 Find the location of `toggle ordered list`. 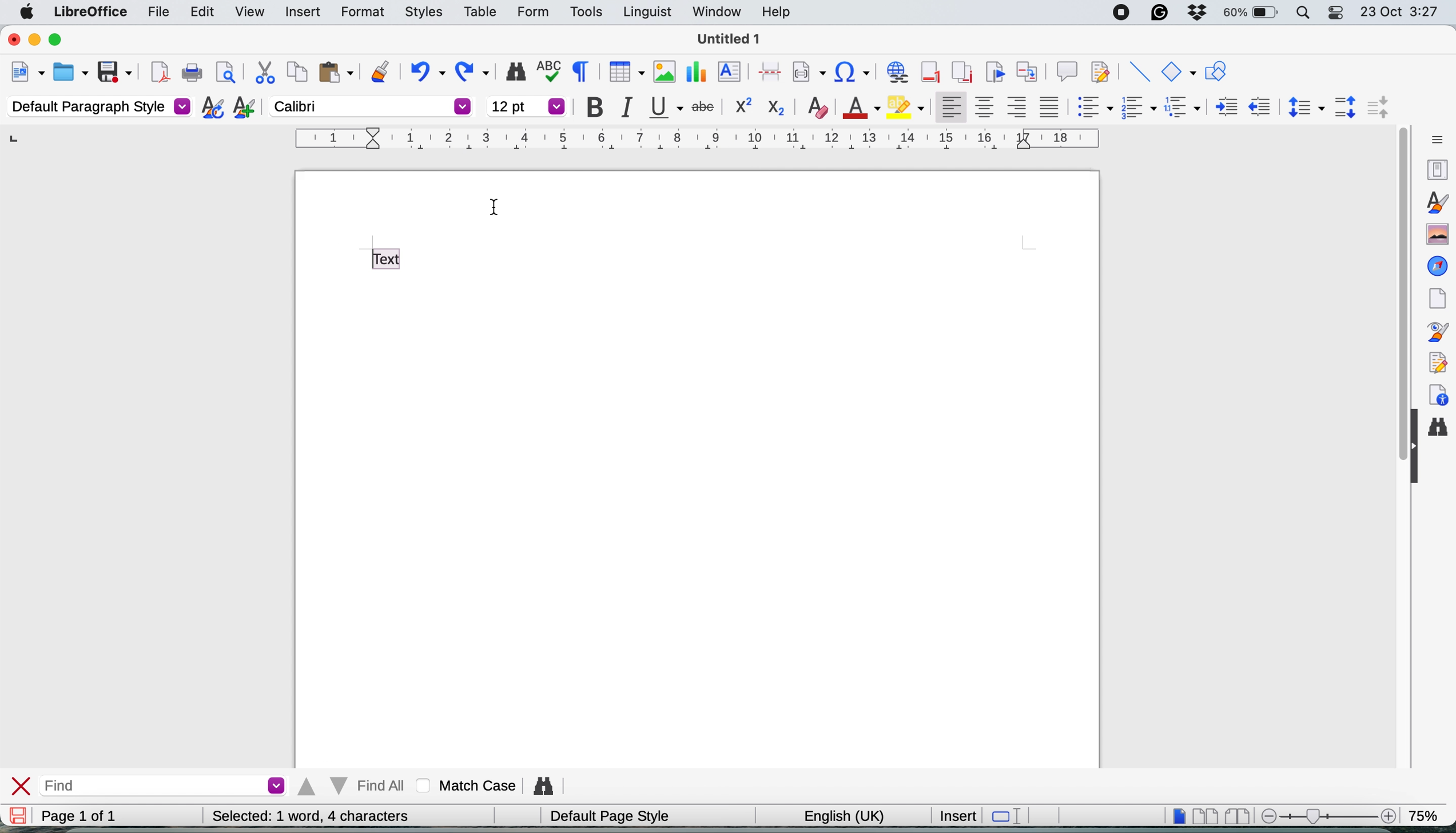

toggle ordered list is located at coordinates (1139, 109).